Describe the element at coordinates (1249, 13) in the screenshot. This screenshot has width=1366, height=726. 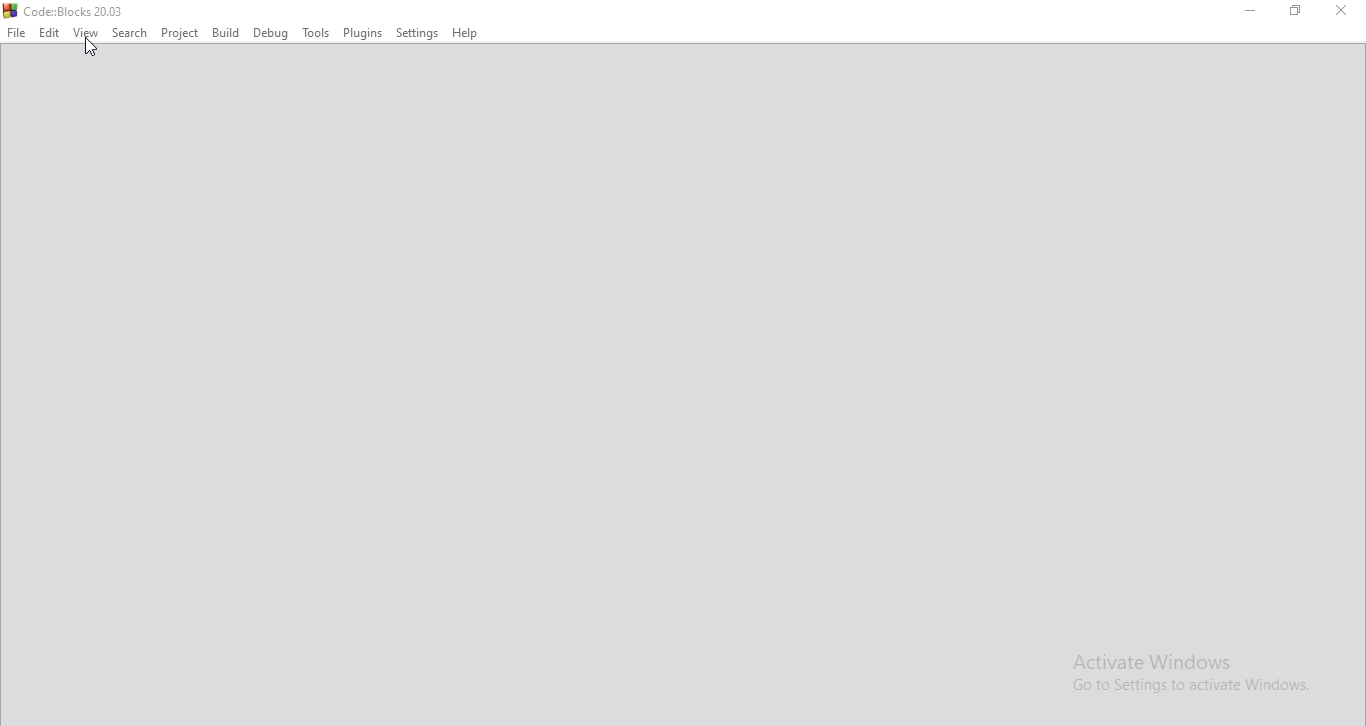
I see `Minimize` at that location.